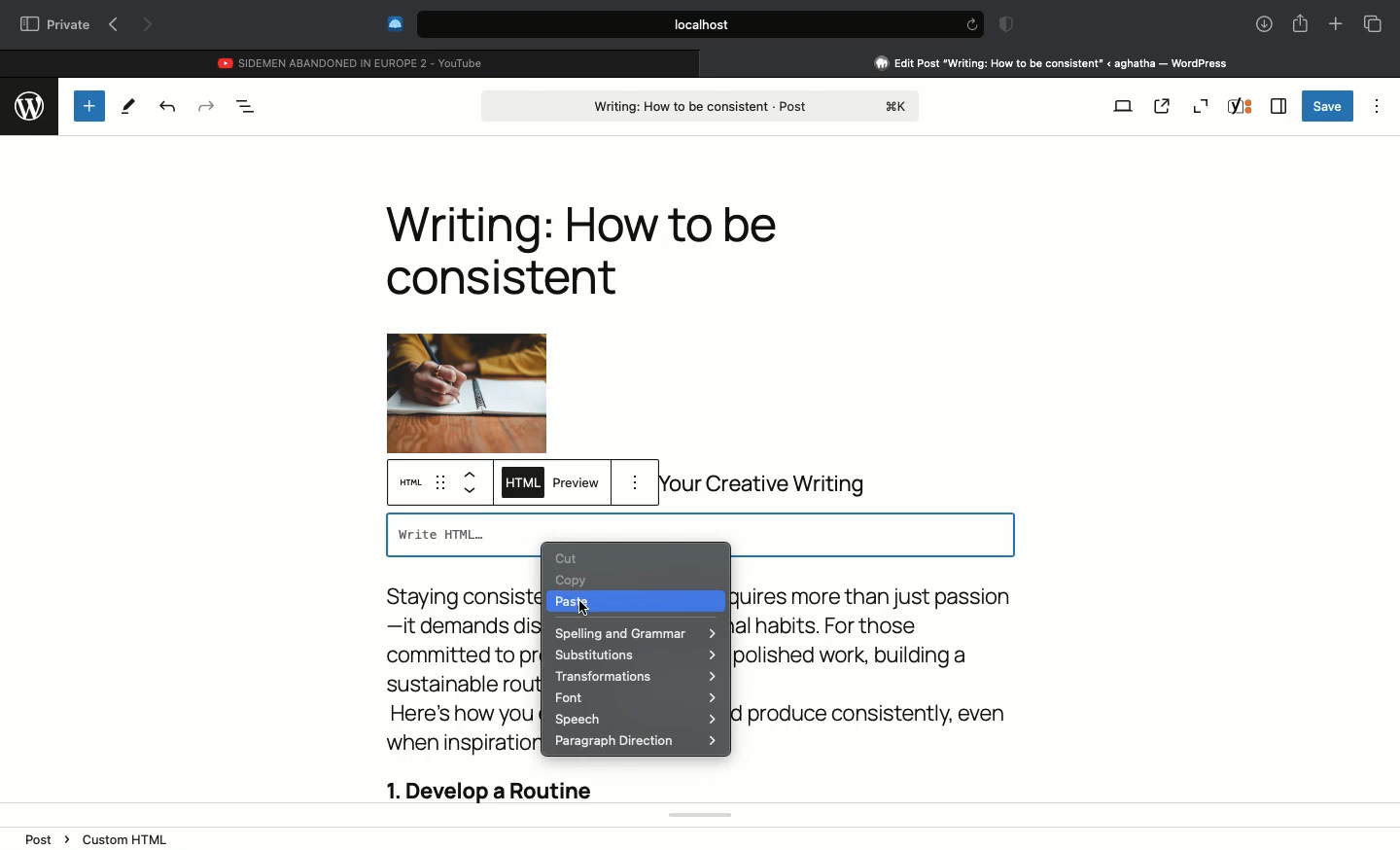 The height and width of the screenshot is (850, 1400). Describe the element at coordinates (577, 604) in the screenshot. I see `Paste` at that location.